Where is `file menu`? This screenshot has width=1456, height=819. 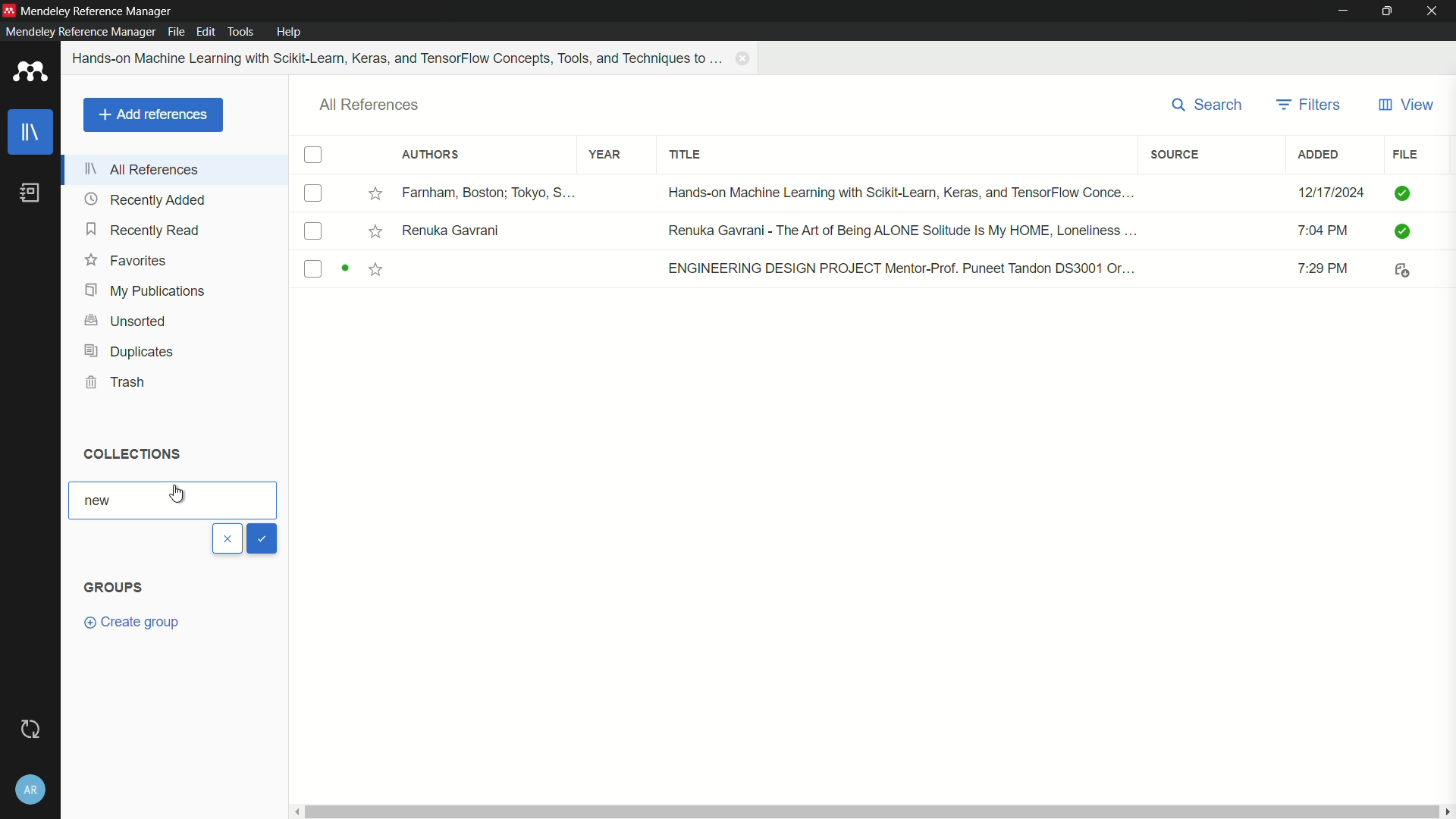 file menu is located at coordinates (176, 31).